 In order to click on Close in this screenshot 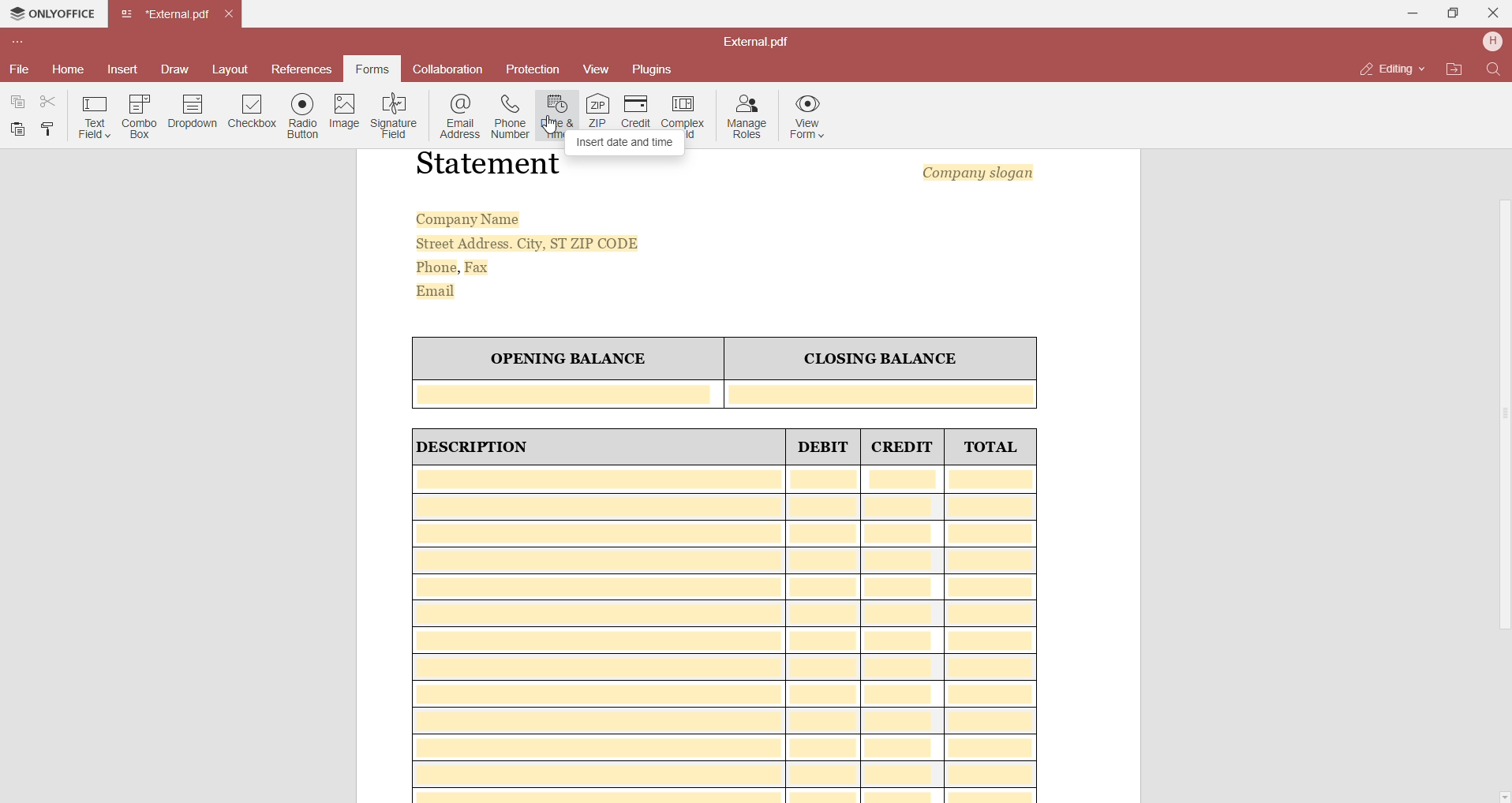, I will do `click(1491, 13)`.